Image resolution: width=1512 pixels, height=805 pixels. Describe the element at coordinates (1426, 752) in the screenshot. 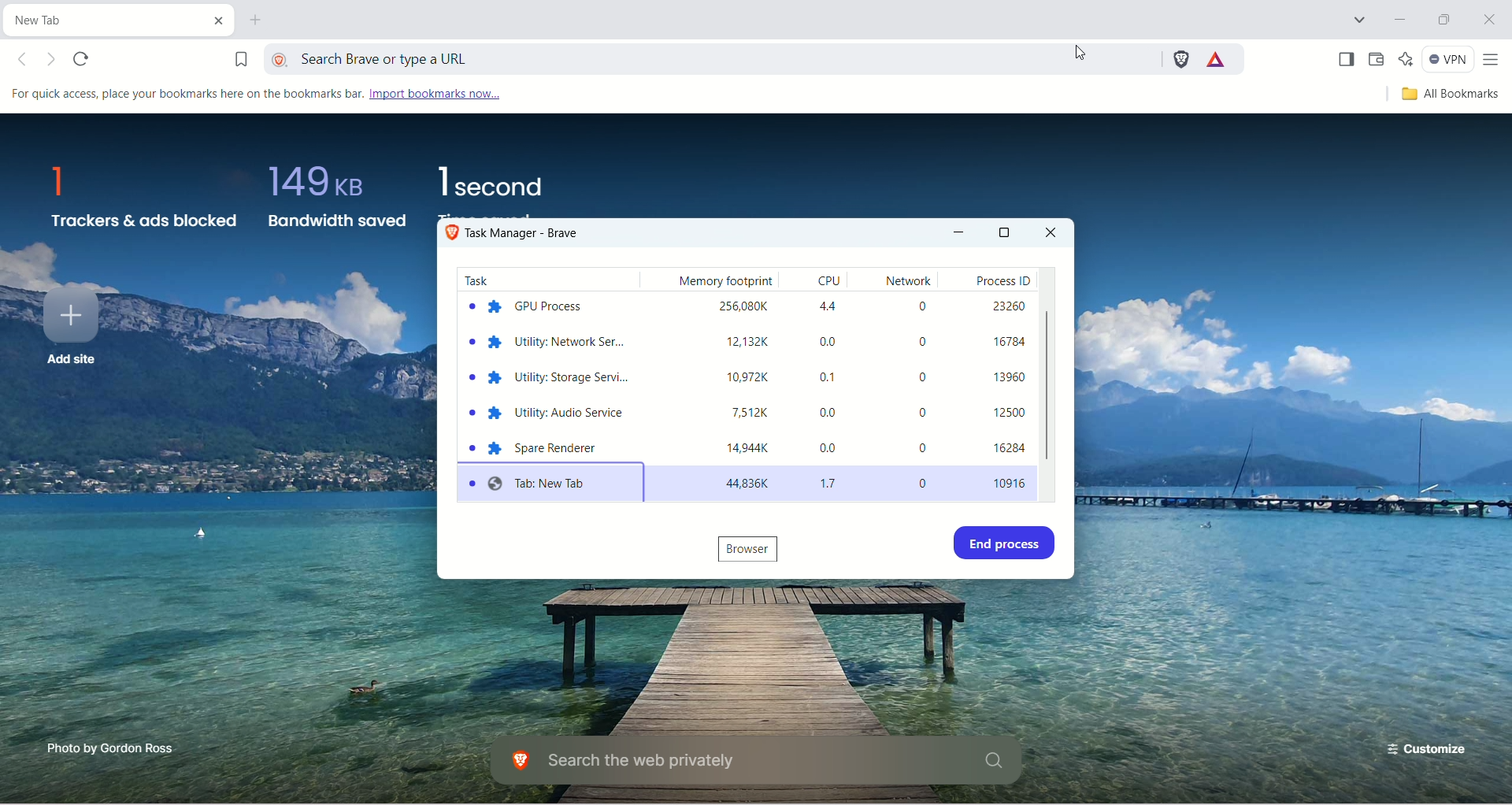

I see `Customize` at that location.